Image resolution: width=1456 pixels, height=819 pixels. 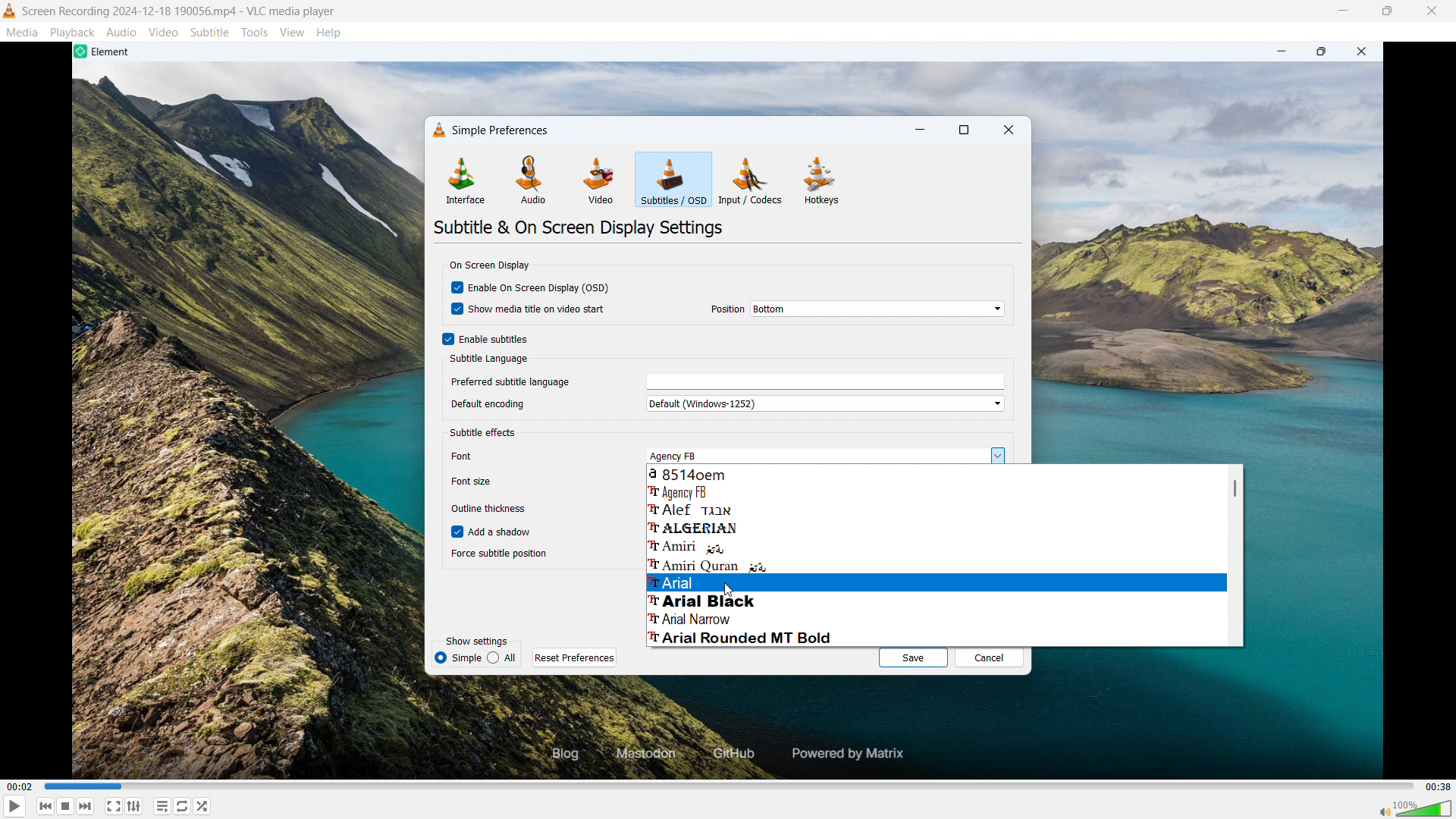 What do you see at coordinates (934, 527) in the screenshot?
I see `algerian` at bounding box center [934, 527].